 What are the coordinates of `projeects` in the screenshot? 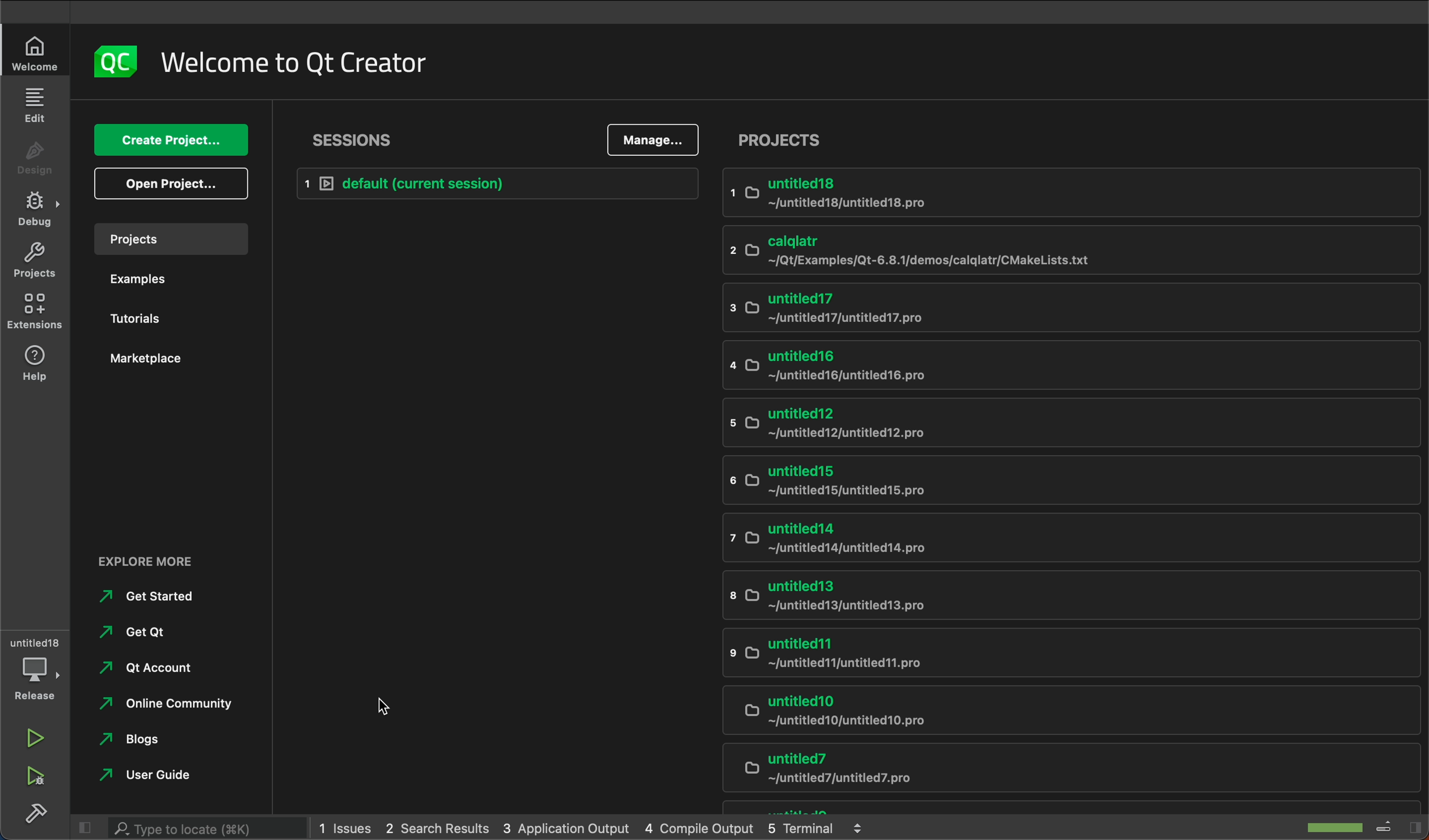 It's located at (1071, 139).